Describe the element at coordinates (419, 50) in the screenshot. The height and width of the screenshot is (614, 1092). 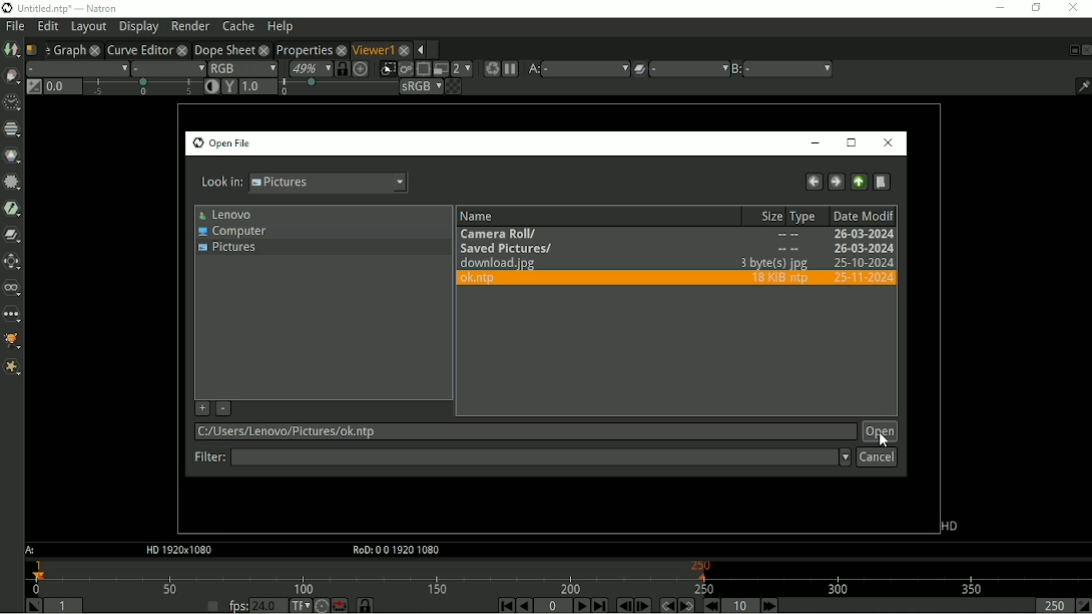
I see `Collapse` at that location.